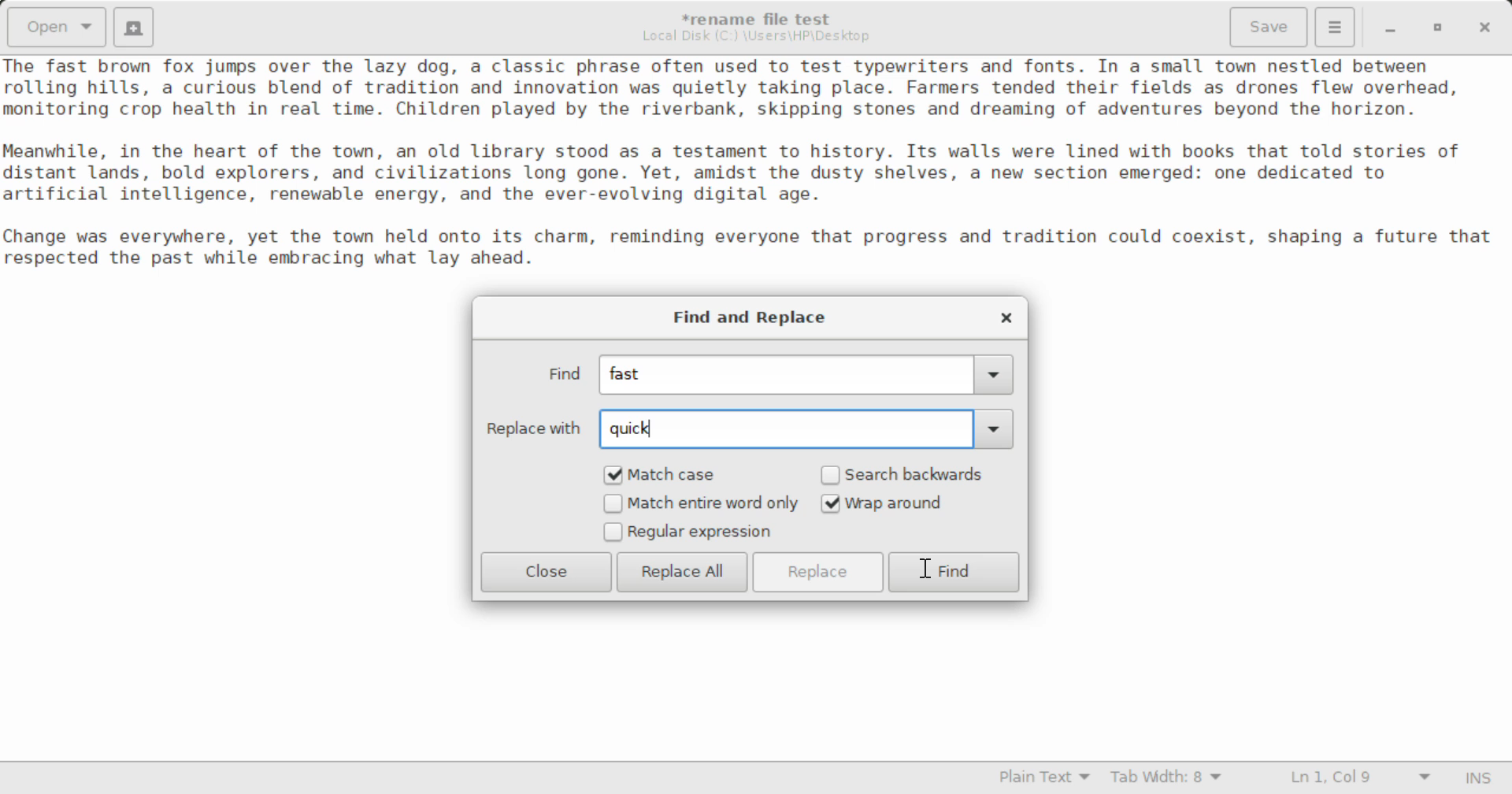 This screenshot has width=1512, height=794. I want to click on Create New Document, so click(136, 27).